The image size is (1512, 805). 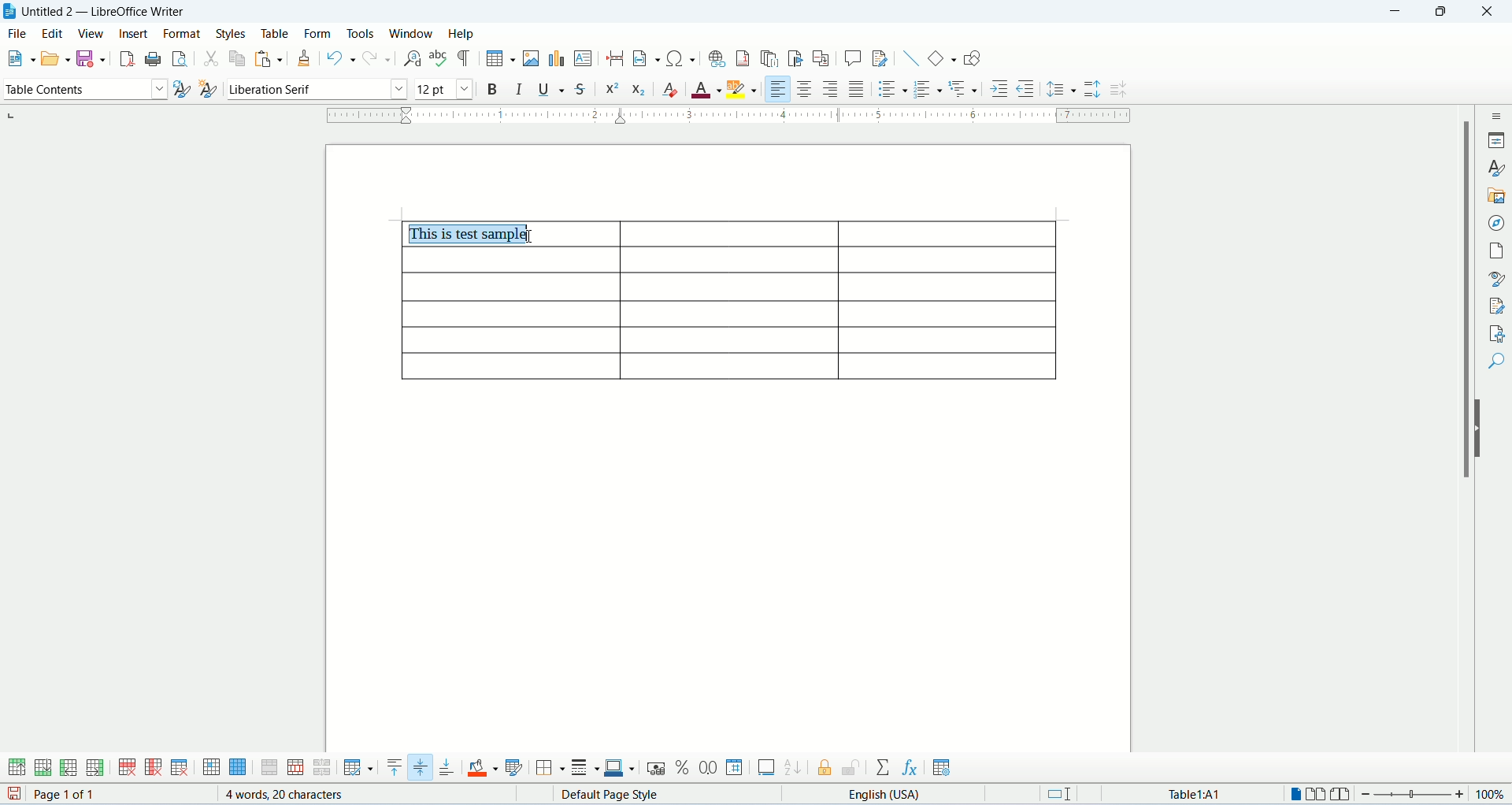 What do you see at coordinates (484, 767) in the screenshot?
I see `cell background color` at bounding box center [484, 767].